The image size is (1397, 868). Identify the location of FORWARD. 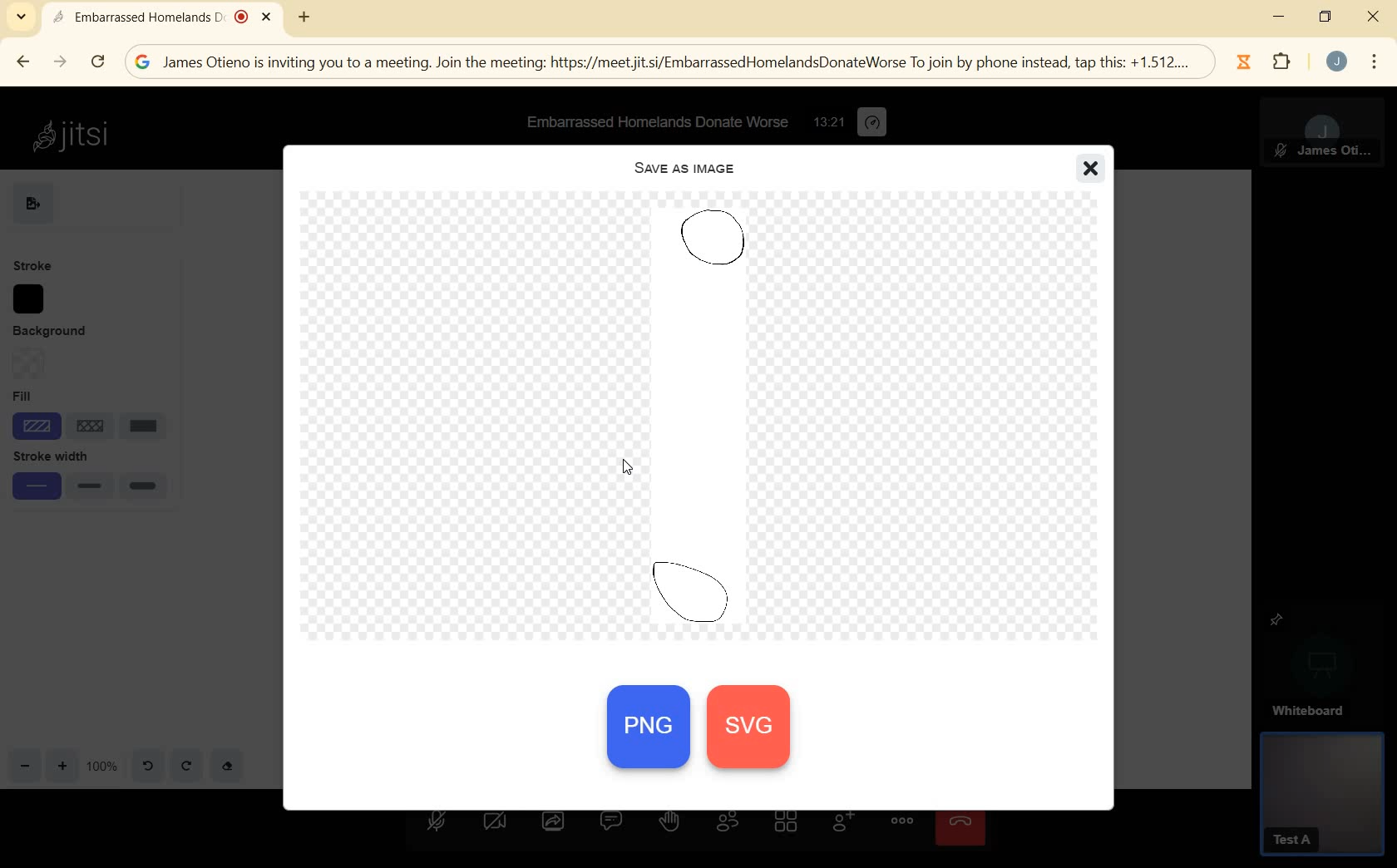
(61, 62).